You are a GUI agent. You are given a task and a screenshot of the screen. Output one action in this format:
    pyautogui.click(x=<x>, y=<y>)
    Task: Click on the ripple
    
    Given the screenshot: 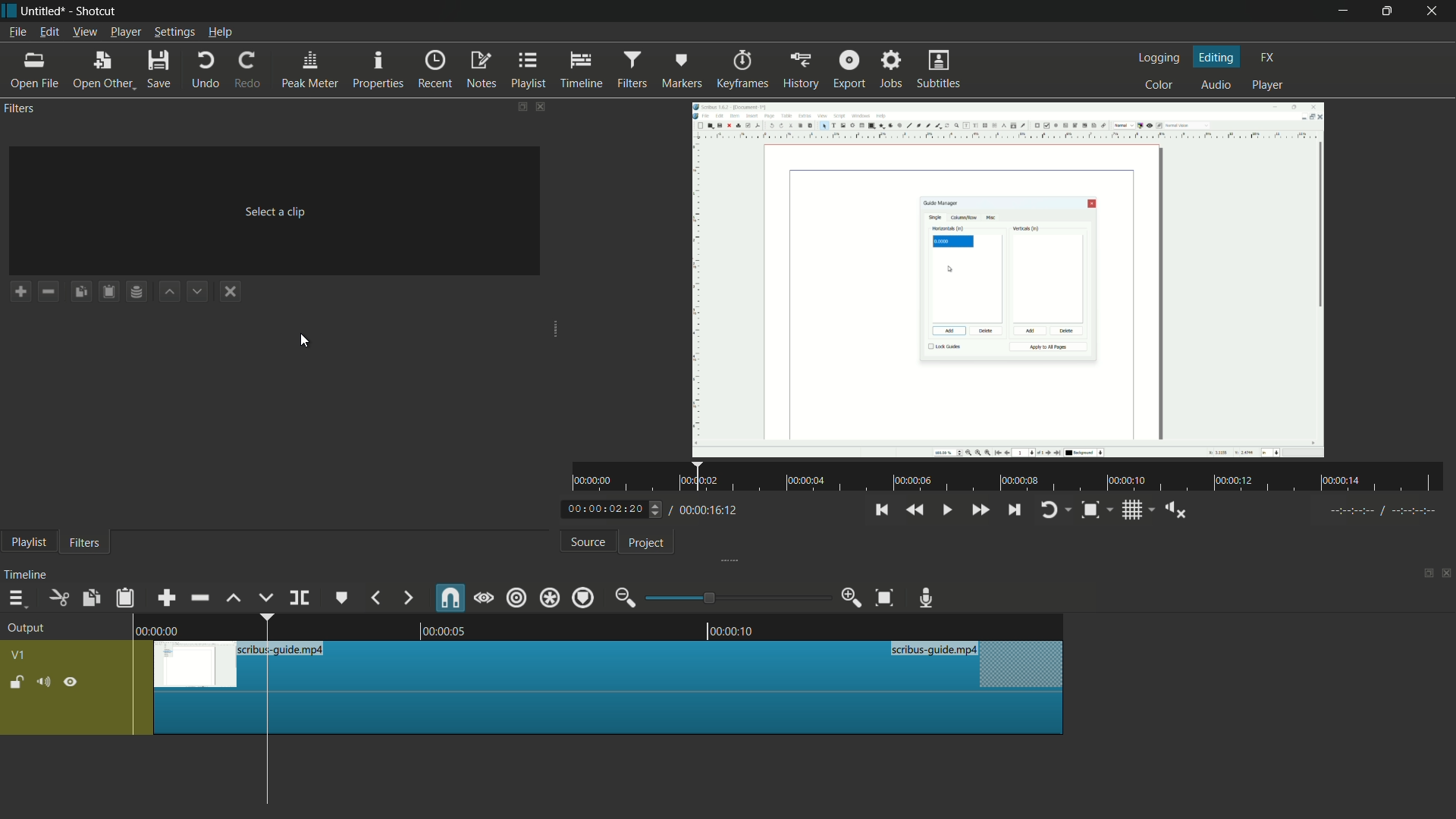 What is the action you would take?
    pyautogui.click(x=515, y=597)
    